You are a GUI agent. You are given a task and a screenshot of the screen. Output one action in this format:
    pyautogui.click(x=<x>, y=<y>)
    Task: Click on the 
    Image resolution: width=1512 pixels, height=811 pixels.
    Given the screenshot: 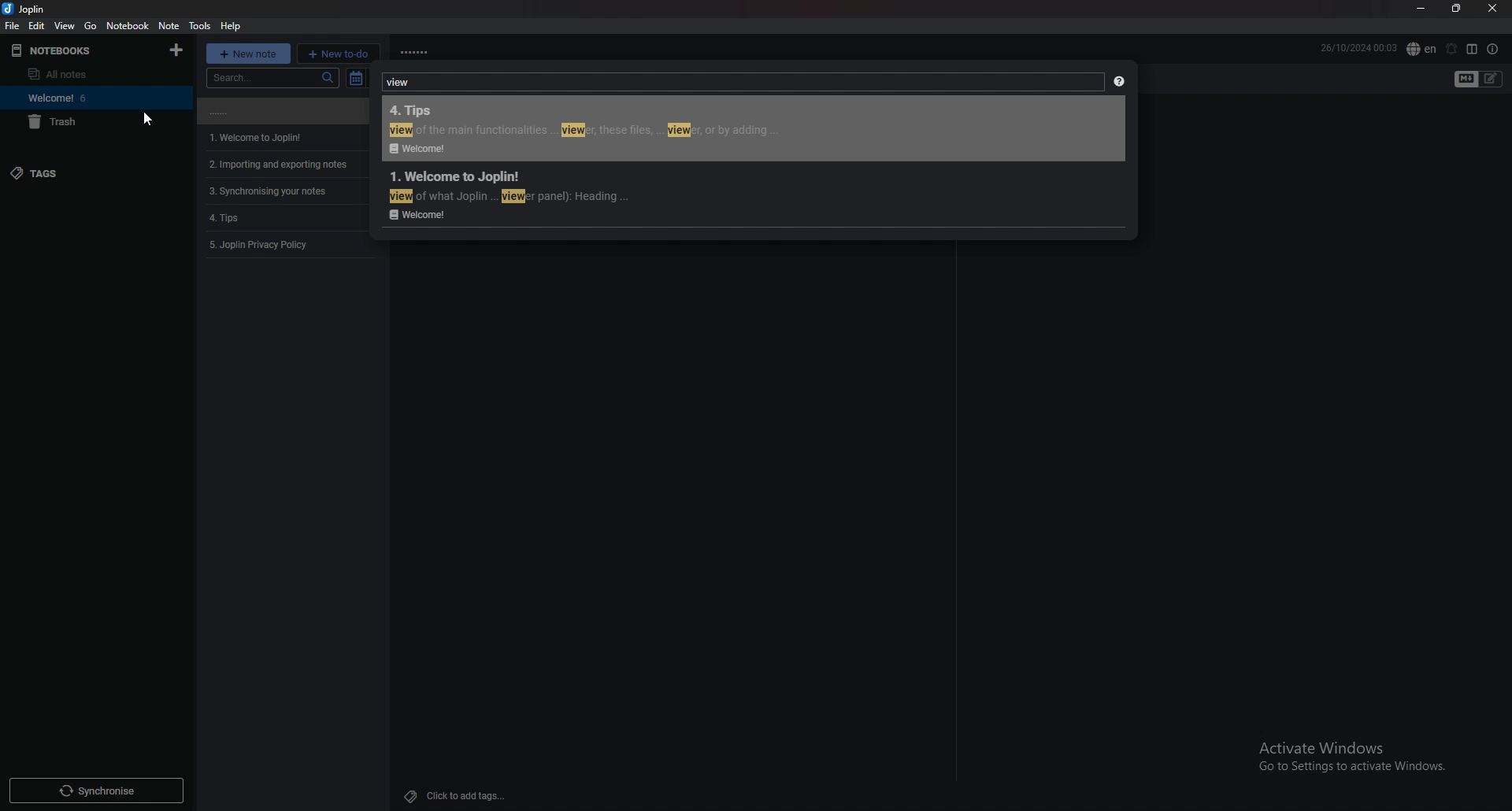 What is the action you would take?
    pyautogui.click(x=1346, y=757)
    